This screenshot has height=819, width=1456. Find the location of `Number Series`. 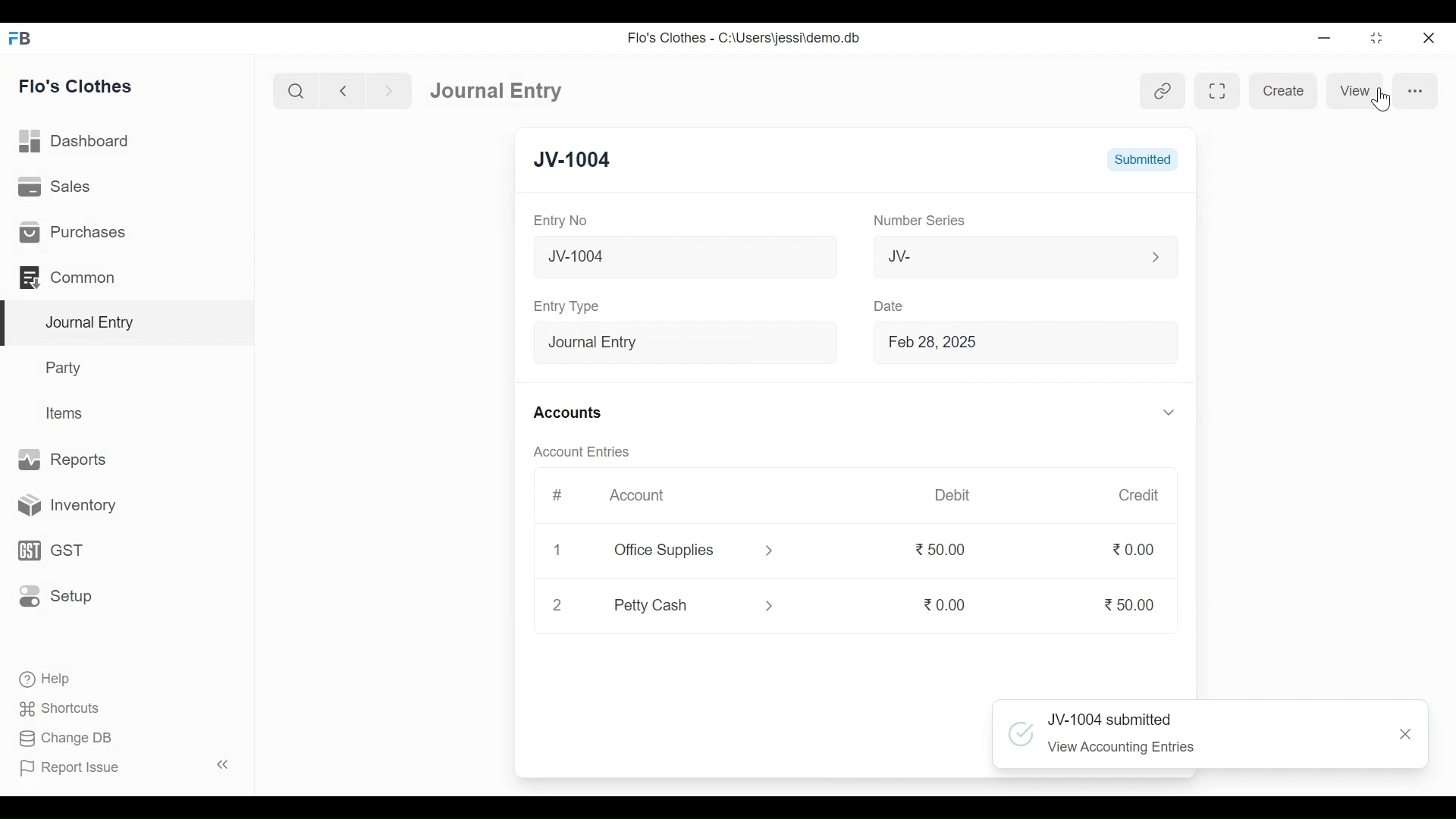

Number Series is located at coordinates (915, 221).